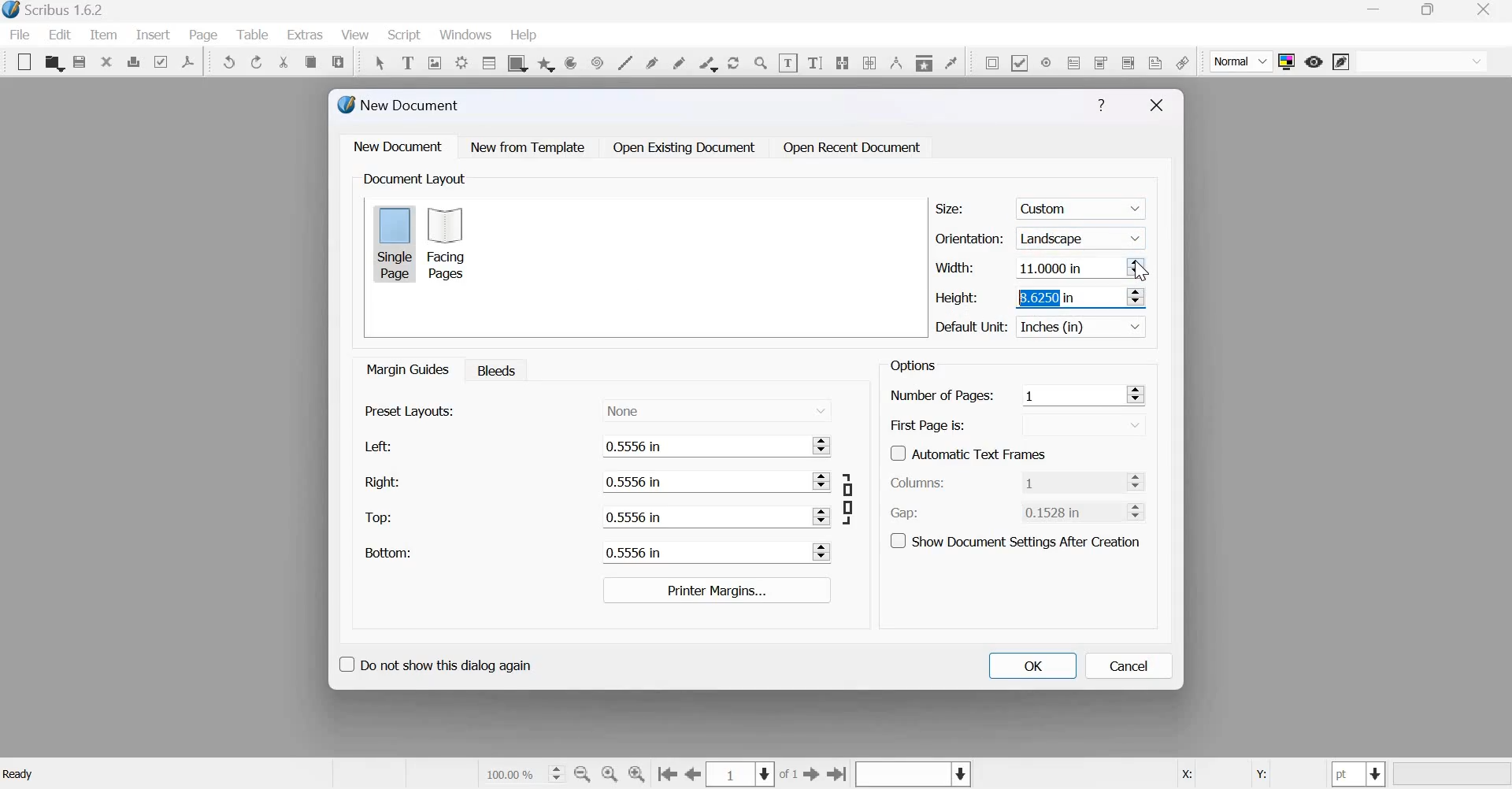 Image resolution: width=1512 pixels, height=789 pixels. What do you see at coordinates (461, 61) in the screenshot?
I see `render frame` at bounding box center [461, 61].